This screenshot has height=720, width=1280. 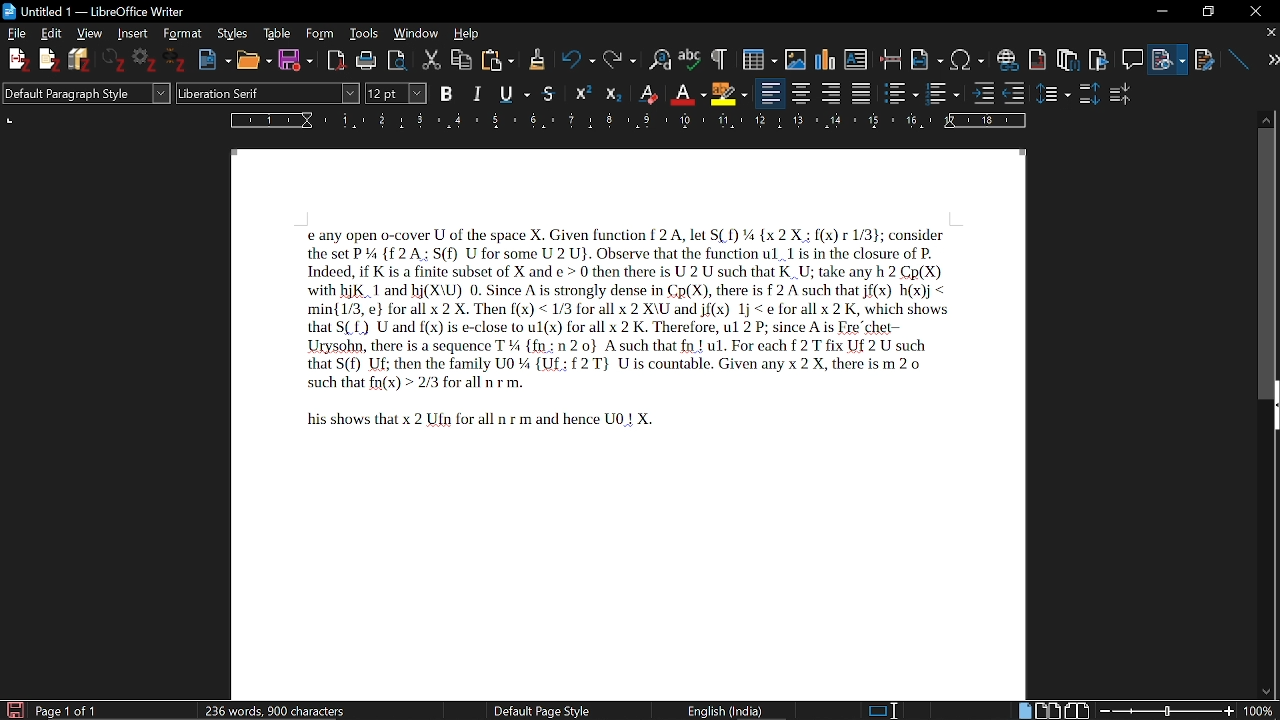 I want to click on Italics, so click(x=478, y=92).